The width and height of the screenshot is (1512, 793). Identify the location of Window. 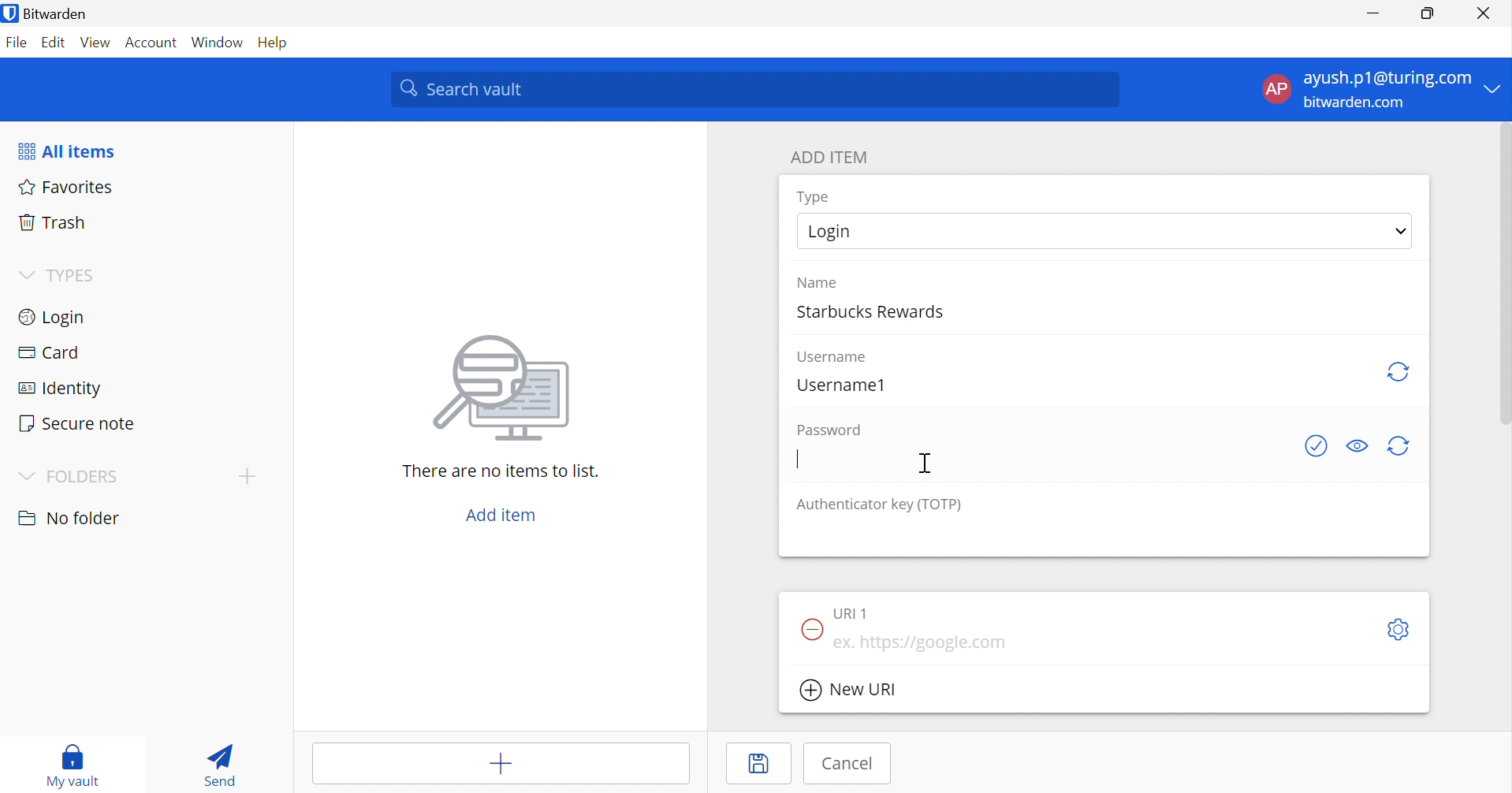
(220, 43).